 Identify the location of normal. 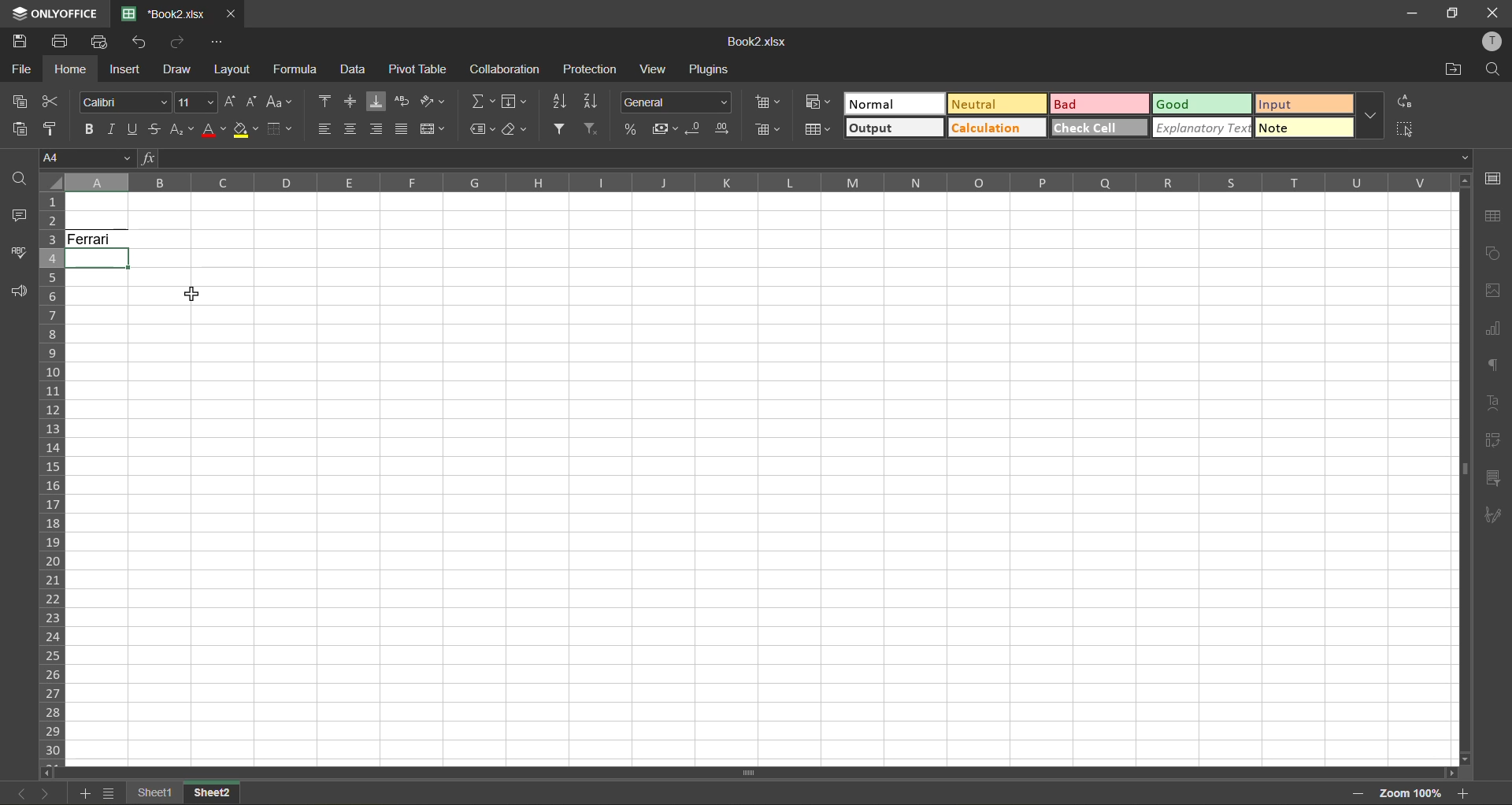
(893, 103).